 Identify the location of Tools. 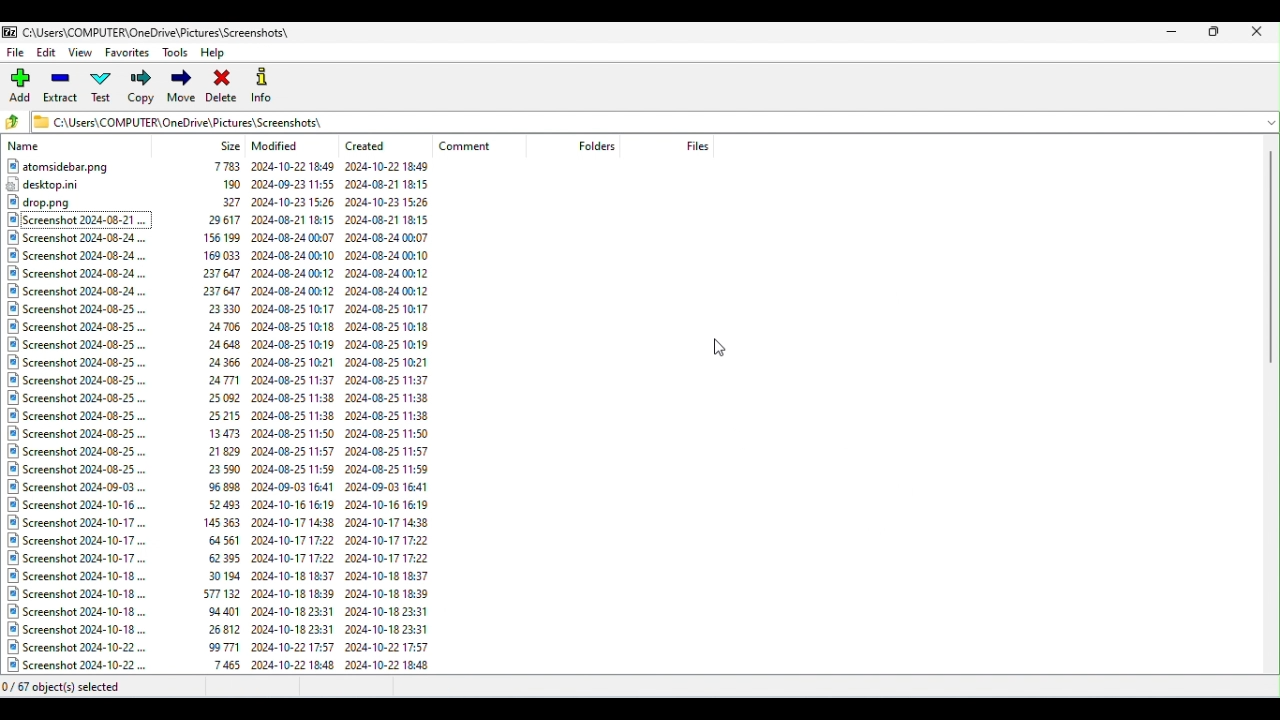
(176, 52).